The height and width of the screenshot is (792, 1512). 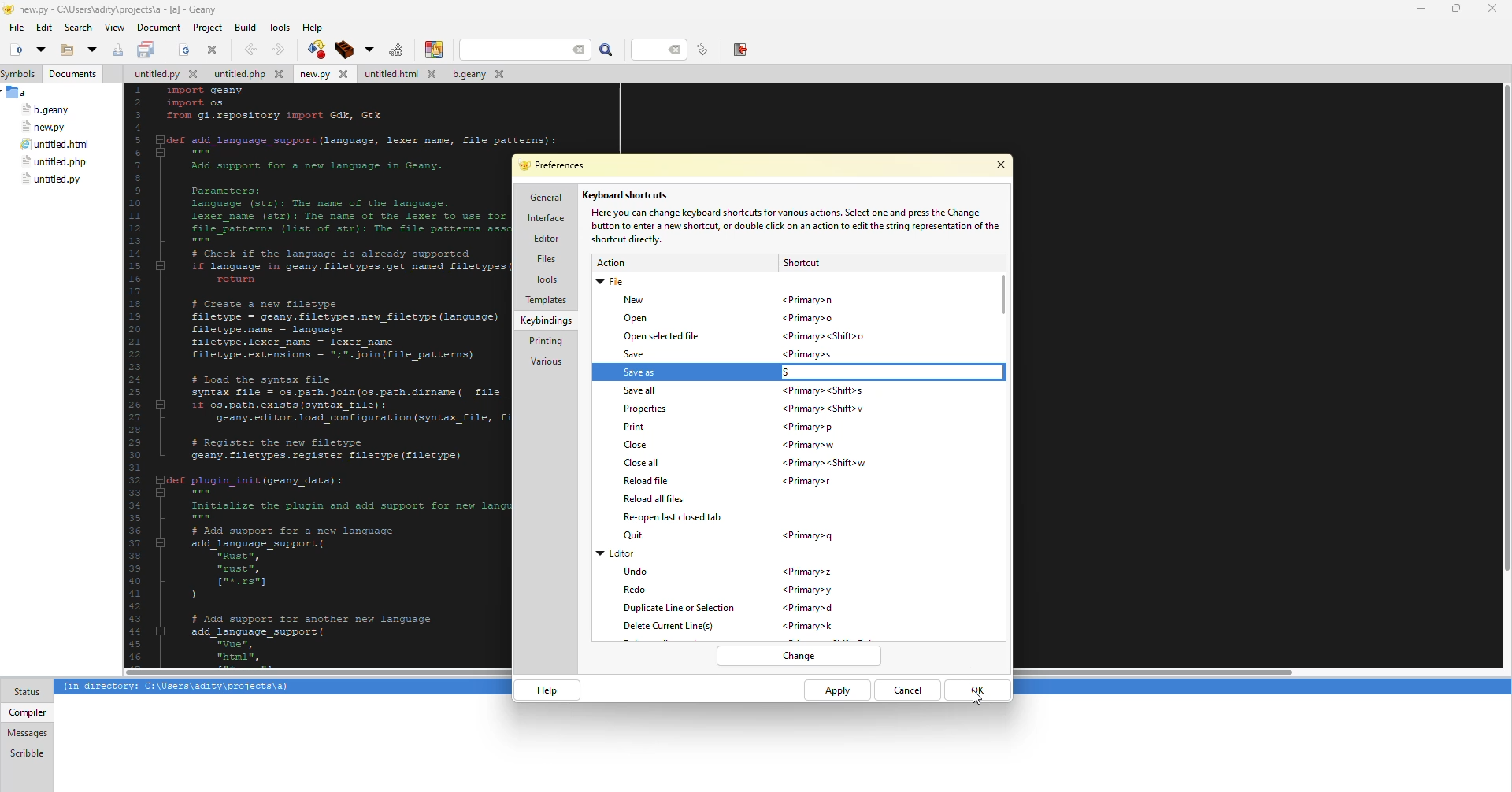 I want to click on run, so click(x=394, y=50).